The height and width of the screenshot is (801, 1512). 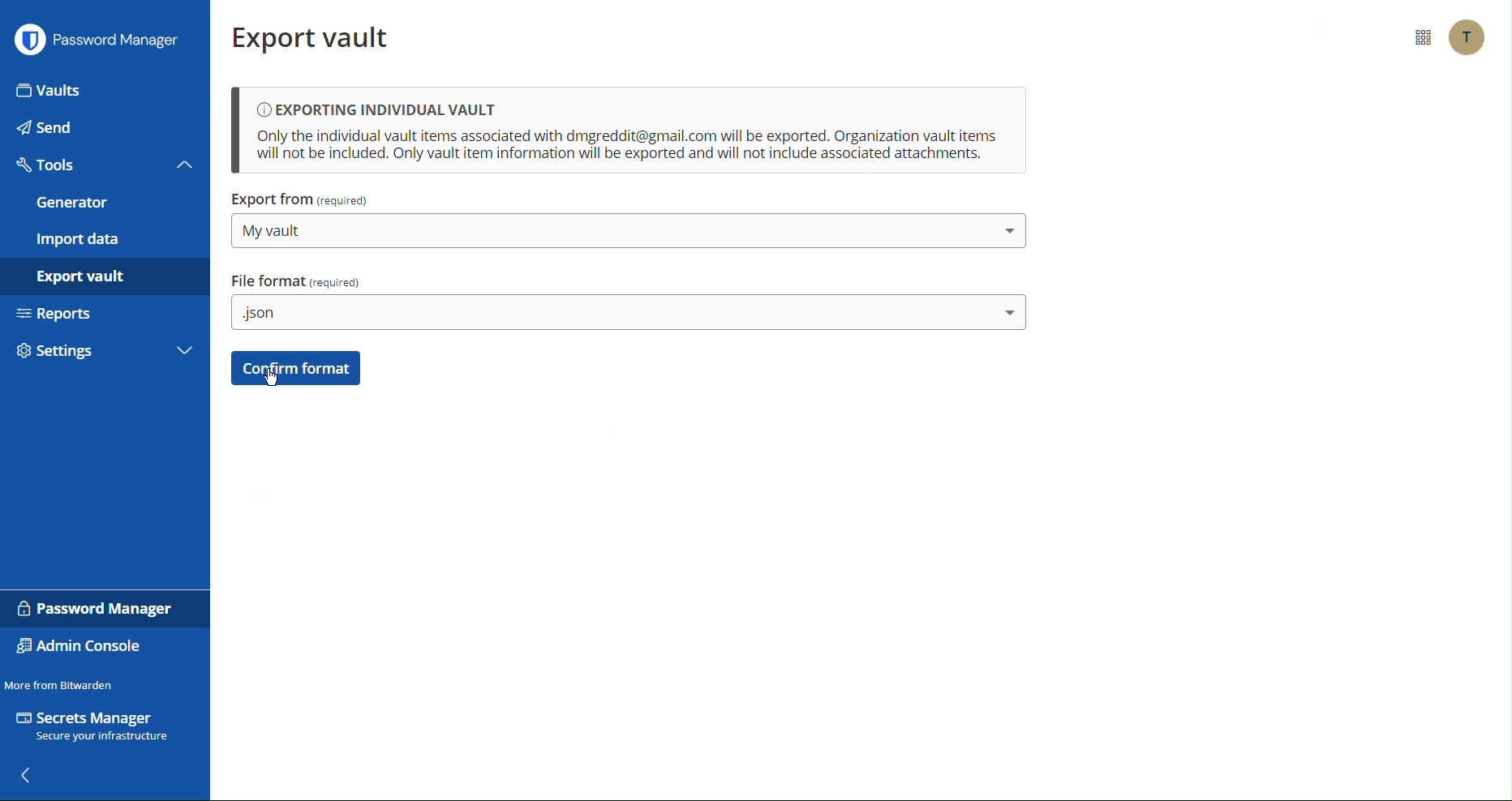 What do you see at coordinates (49, 131) in the screenshot?
I see `Send` at bounding box center [49, 131].